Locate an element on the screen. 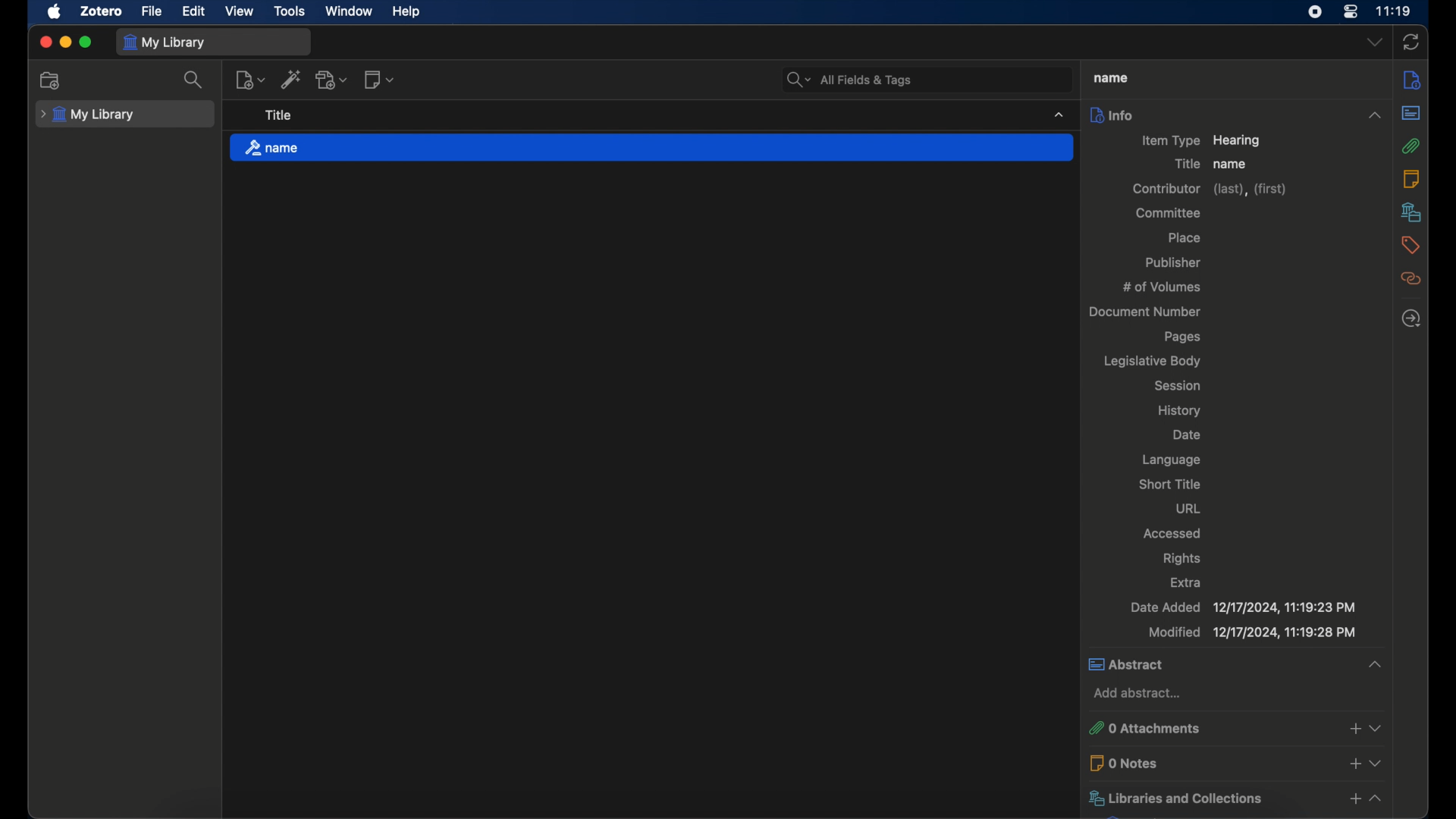 The height and width of the screenshot is (819, 1456). my library is located at coordinates (165, 42).